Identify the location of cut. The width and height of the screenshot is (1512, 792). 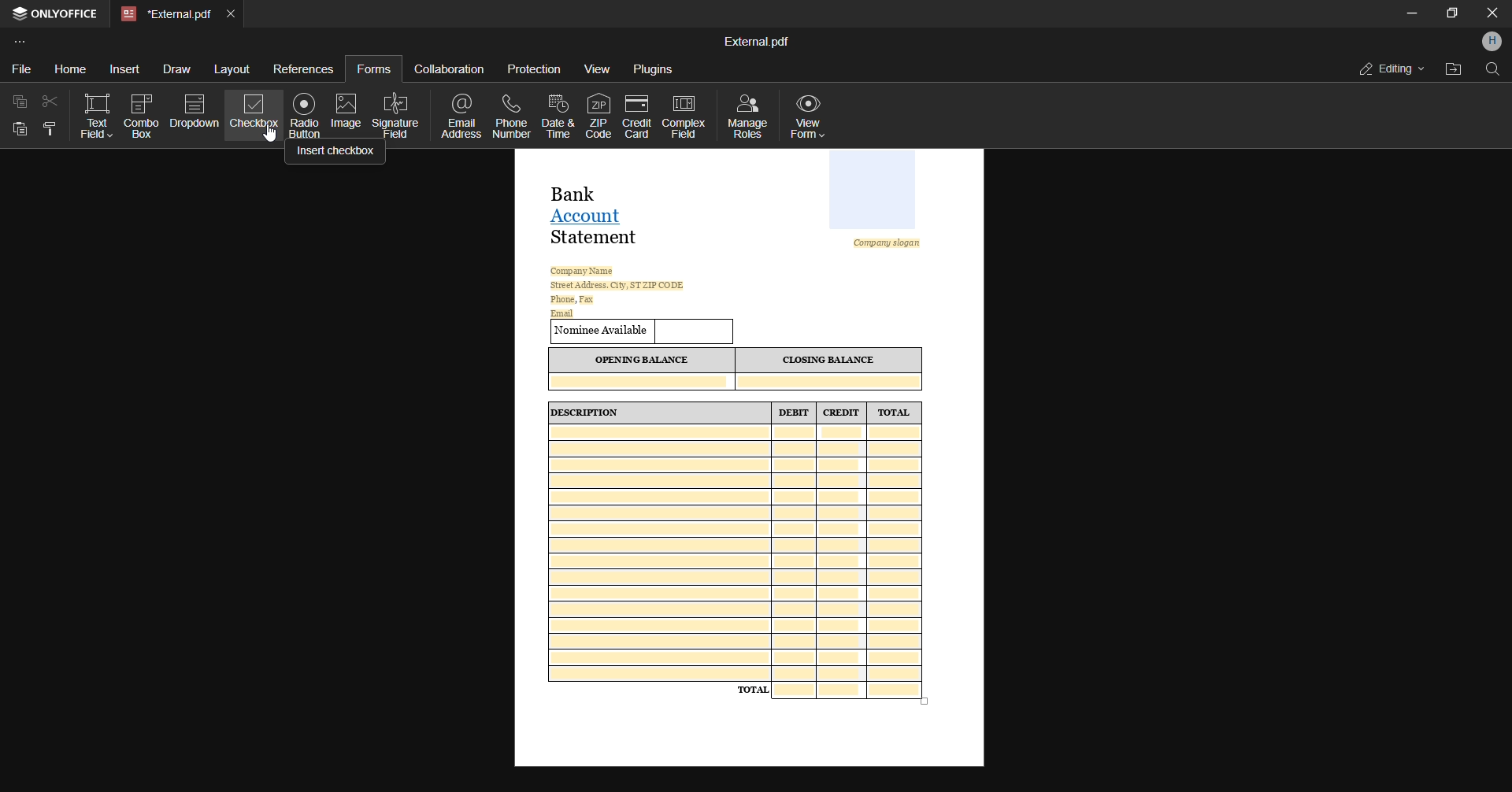
(51, 102).